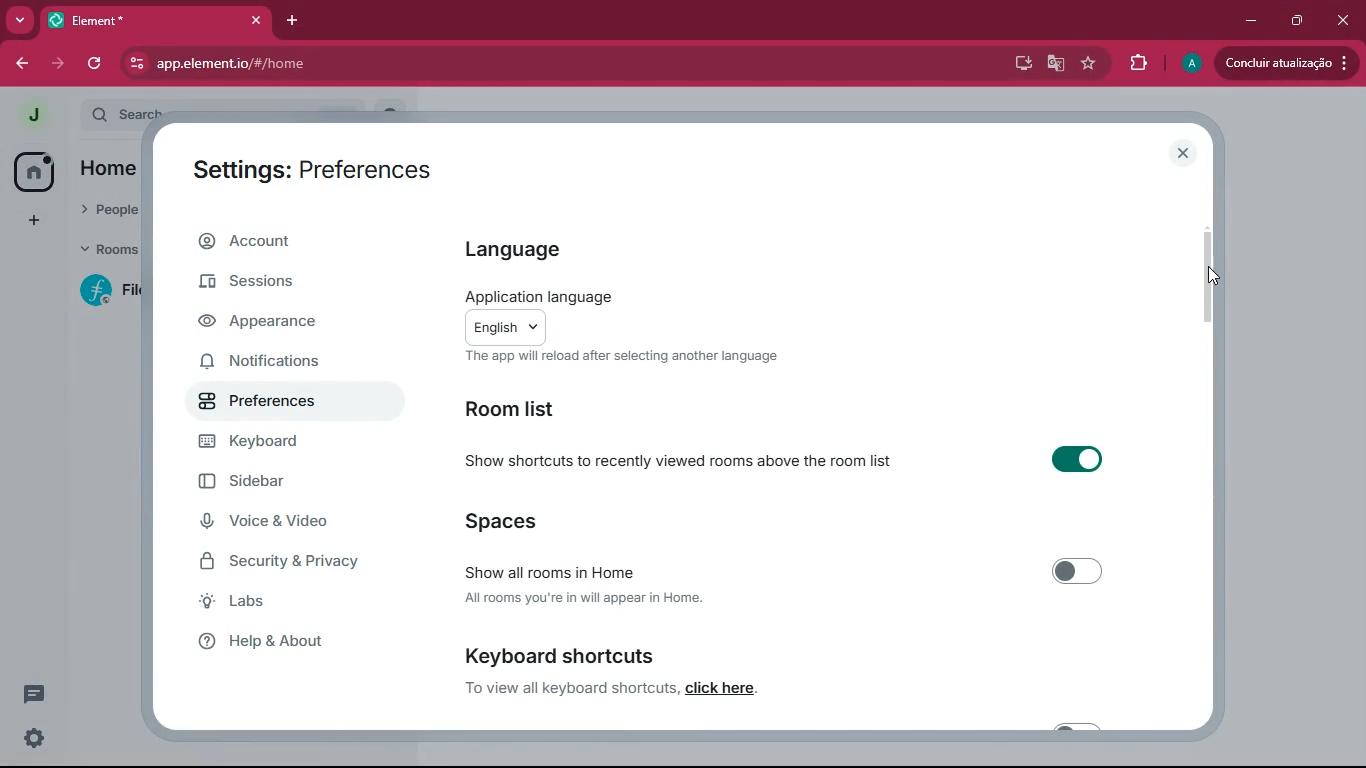 Image resolution: width=1366 pixels, height=768 pixels. Describe the element at coordinates (563, 692) in the screenshot. I see `to view all keyboard shortcuts. click here` at that location.